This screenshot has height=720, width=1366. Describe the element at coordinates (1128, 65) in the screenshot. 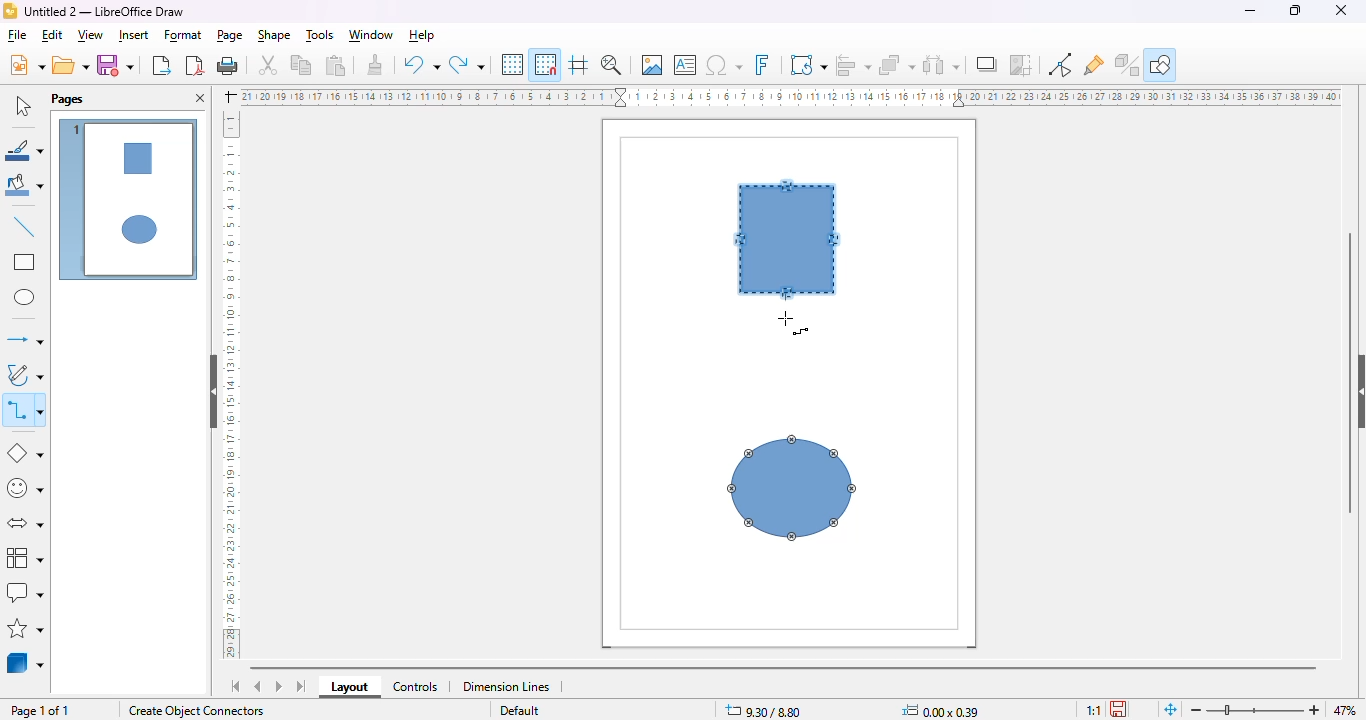

I see `toggle extrusion` at that location.